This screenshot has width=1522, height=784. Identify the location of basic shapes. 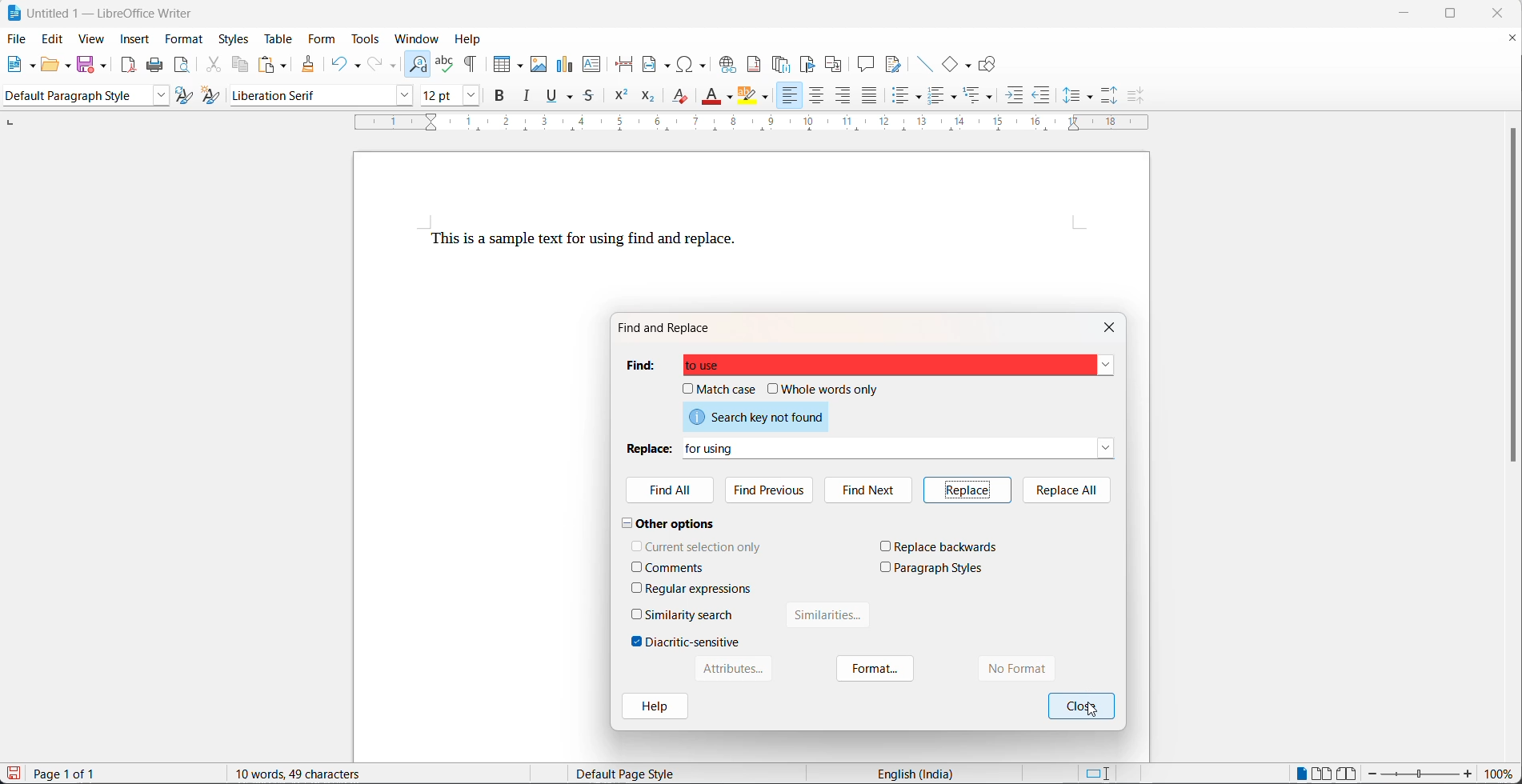
(951, 64).